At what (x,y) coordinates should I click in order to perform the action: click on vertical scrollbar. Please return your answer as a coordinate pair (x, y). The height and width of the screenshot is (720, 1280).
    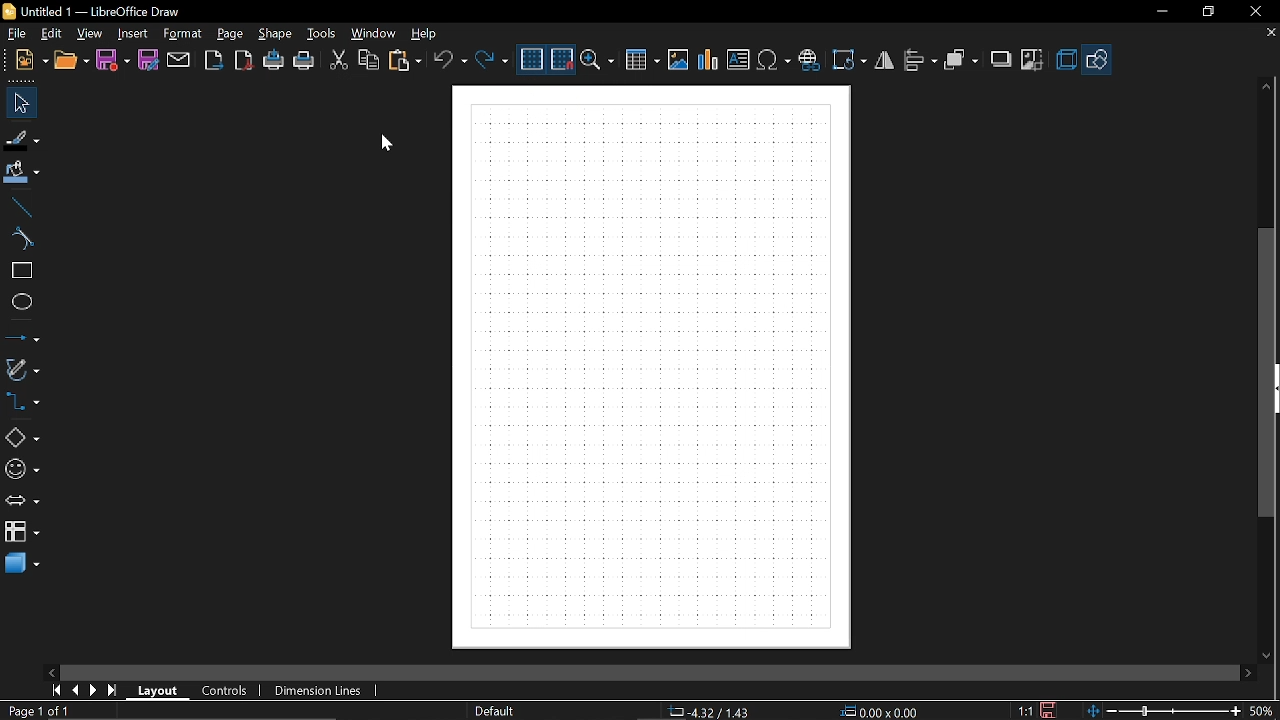
    Looking at the image, I should click on (1269, 373).